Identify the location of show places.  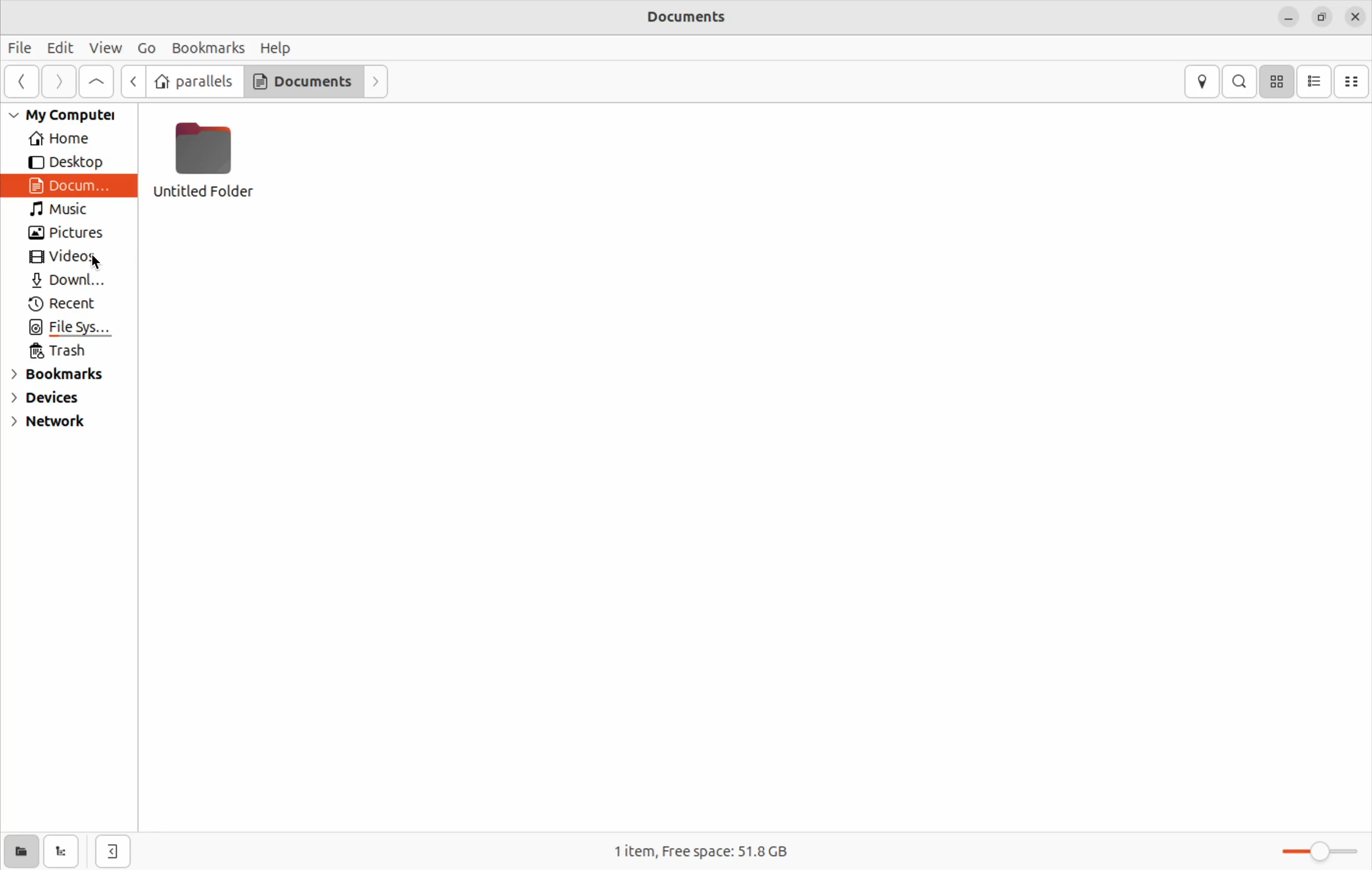
(19, 852).